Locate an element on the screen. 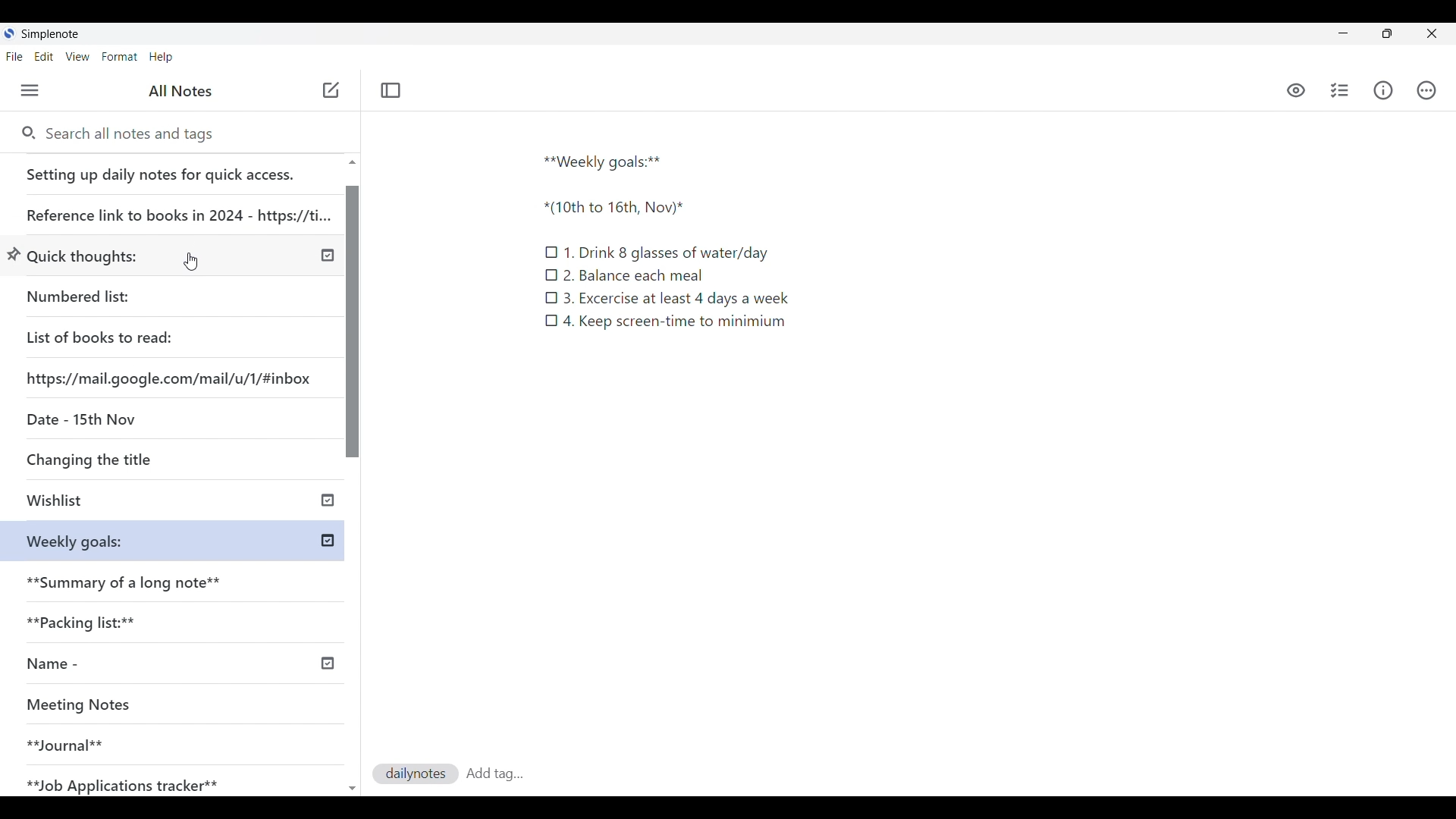 This screenshot has width=1456, height=819. Search notes and tags is located at coordinates (136, 134).